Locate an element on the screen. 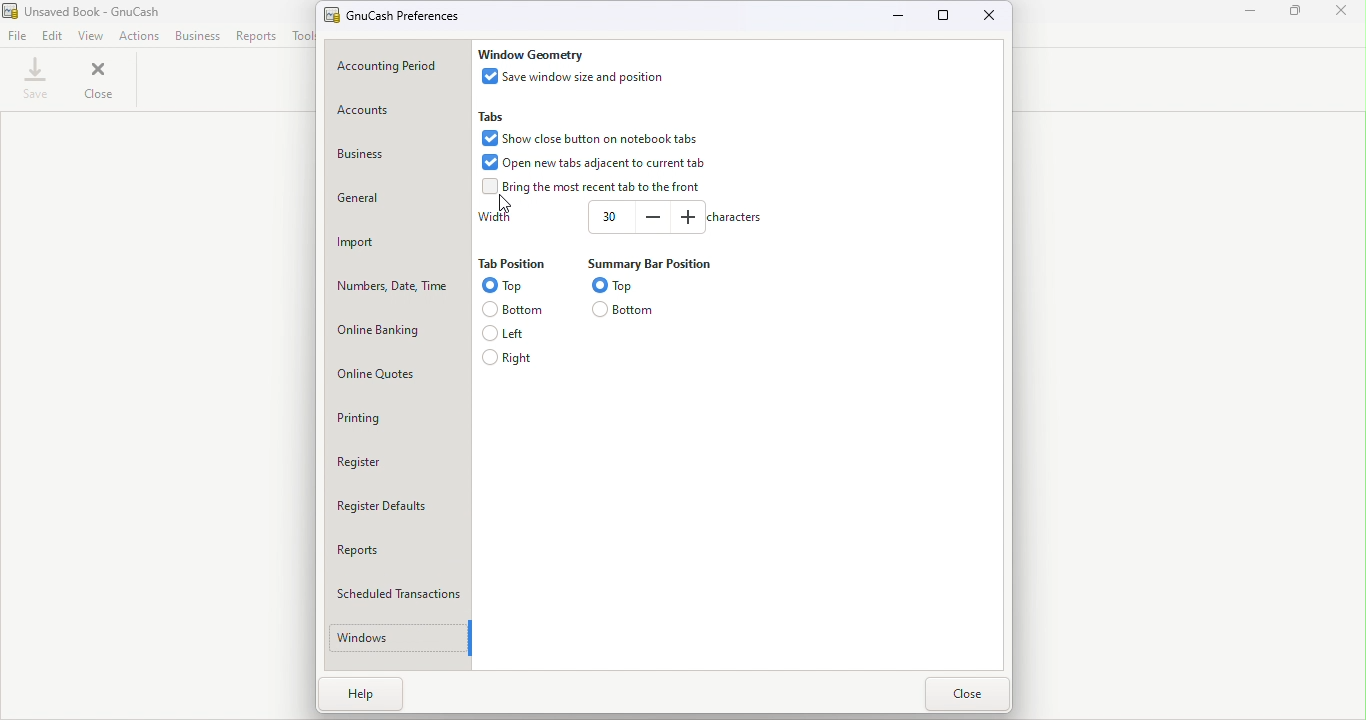 The height and width of the screenshot is (720, 1366). Open new tabs adjacent to current tab is located at coordinates (596, 162).